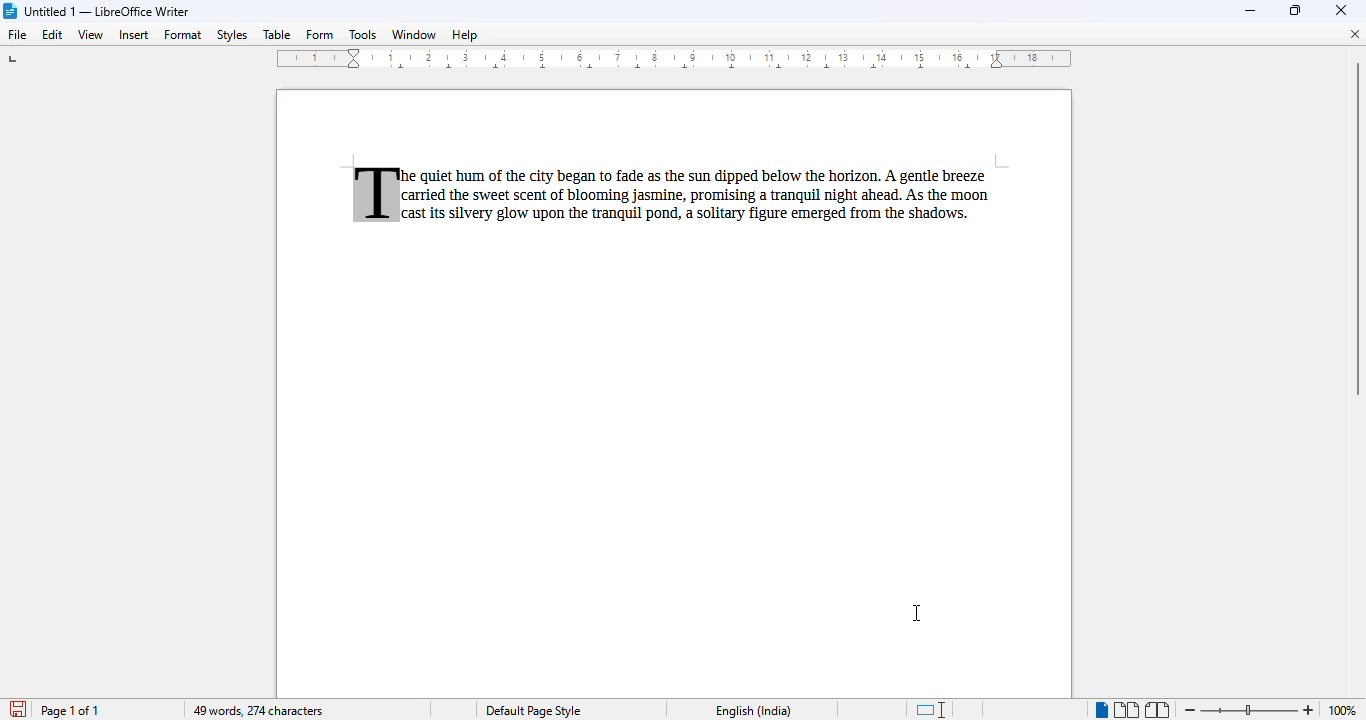 The image size is (1366, 720). I want to click on window, so click(413, 34).